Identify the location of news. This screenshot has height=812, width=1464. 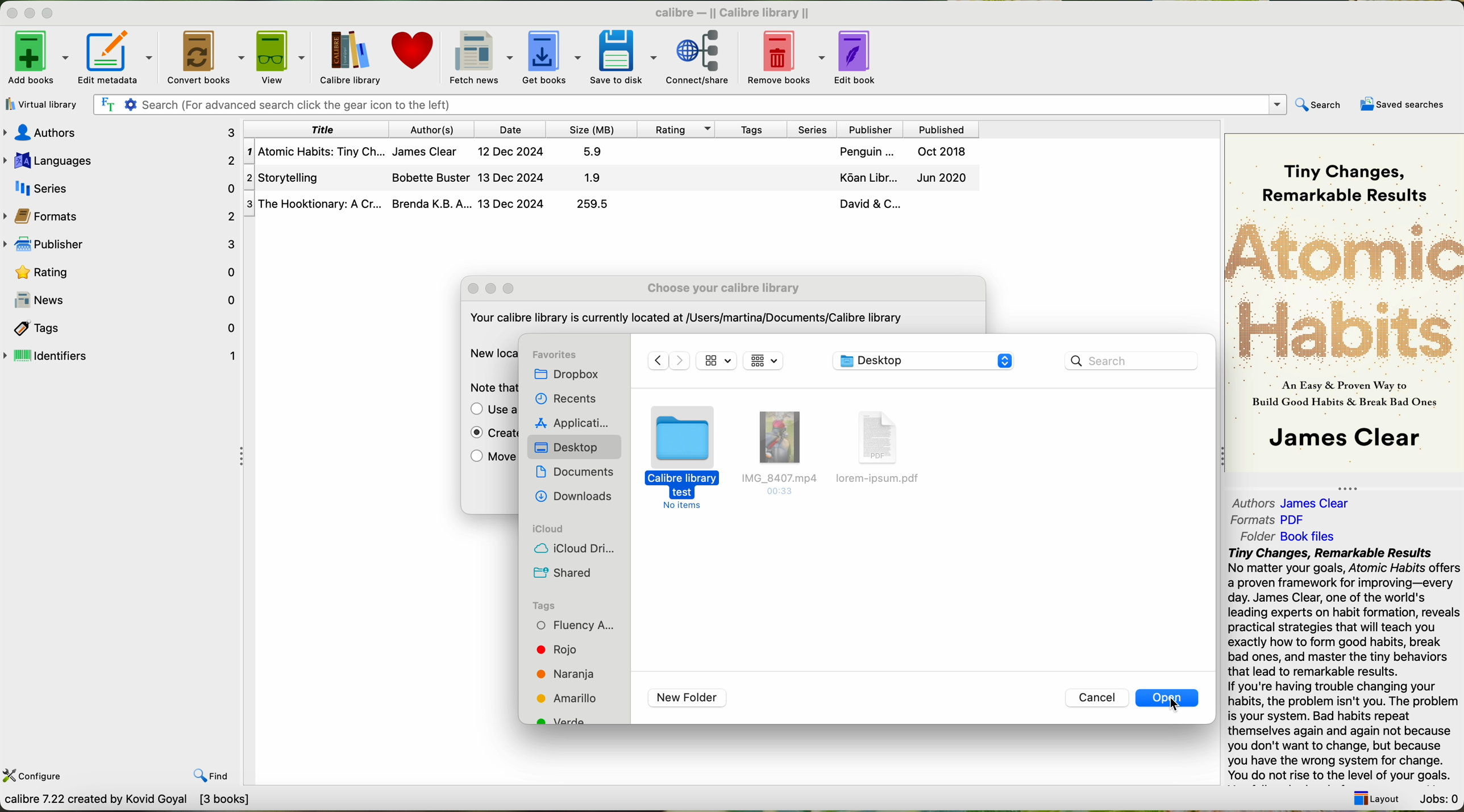
(121, 300).